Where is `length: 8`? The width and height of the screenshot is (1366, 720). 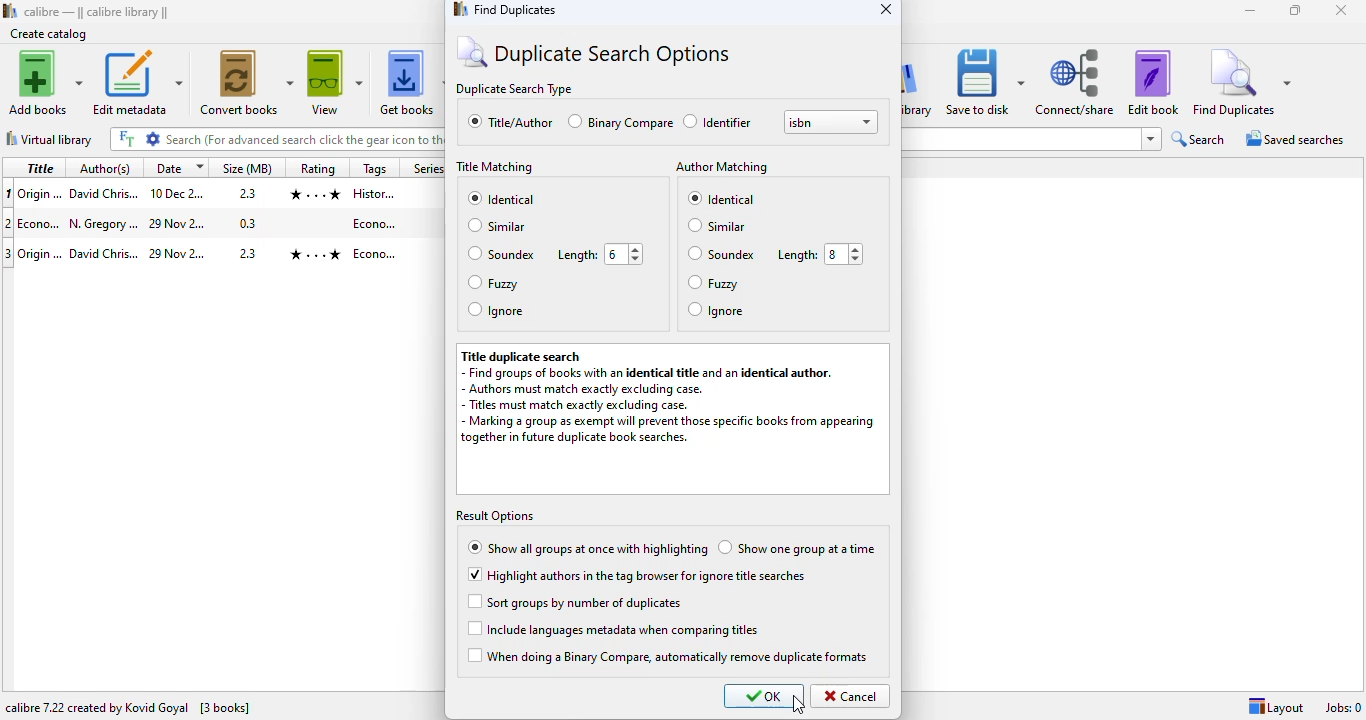 length: 8 is located at coordinates (817, 254).